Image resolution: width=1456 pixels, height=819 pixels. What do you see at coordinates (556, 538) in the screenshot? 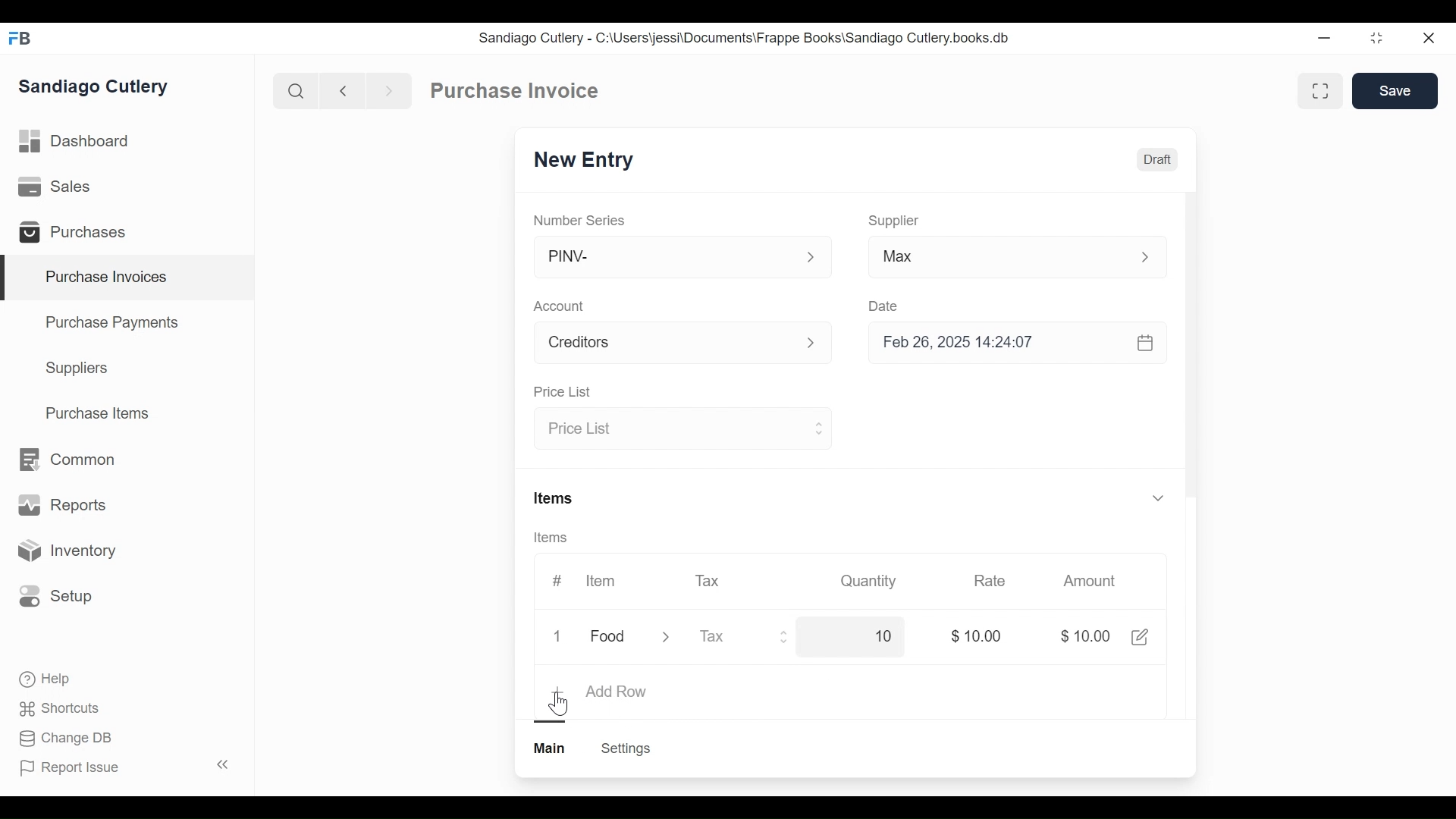
I see `Items` at bounding box center [556, 538].